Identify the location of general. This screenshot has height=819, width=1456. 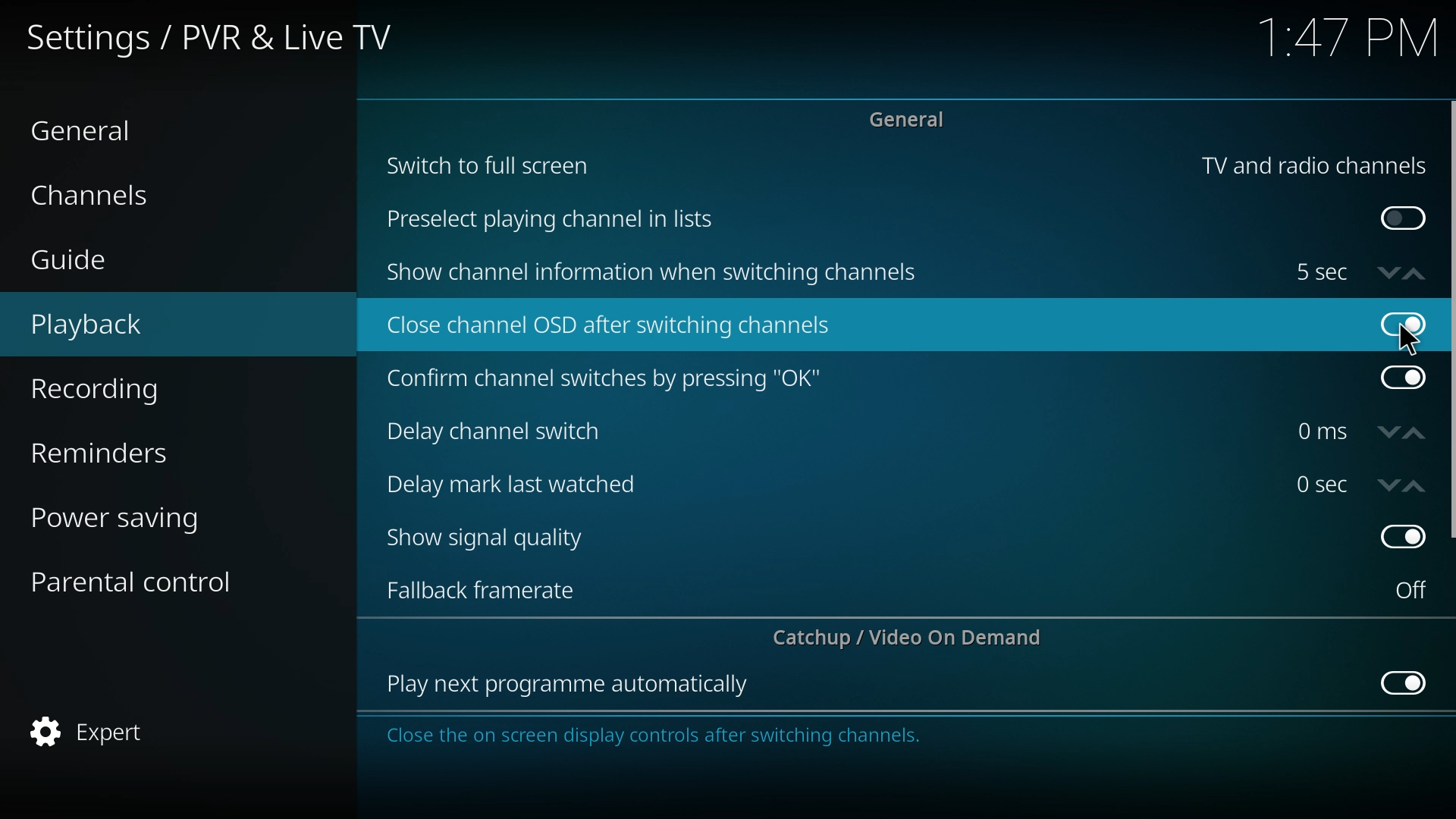
(913, 118).